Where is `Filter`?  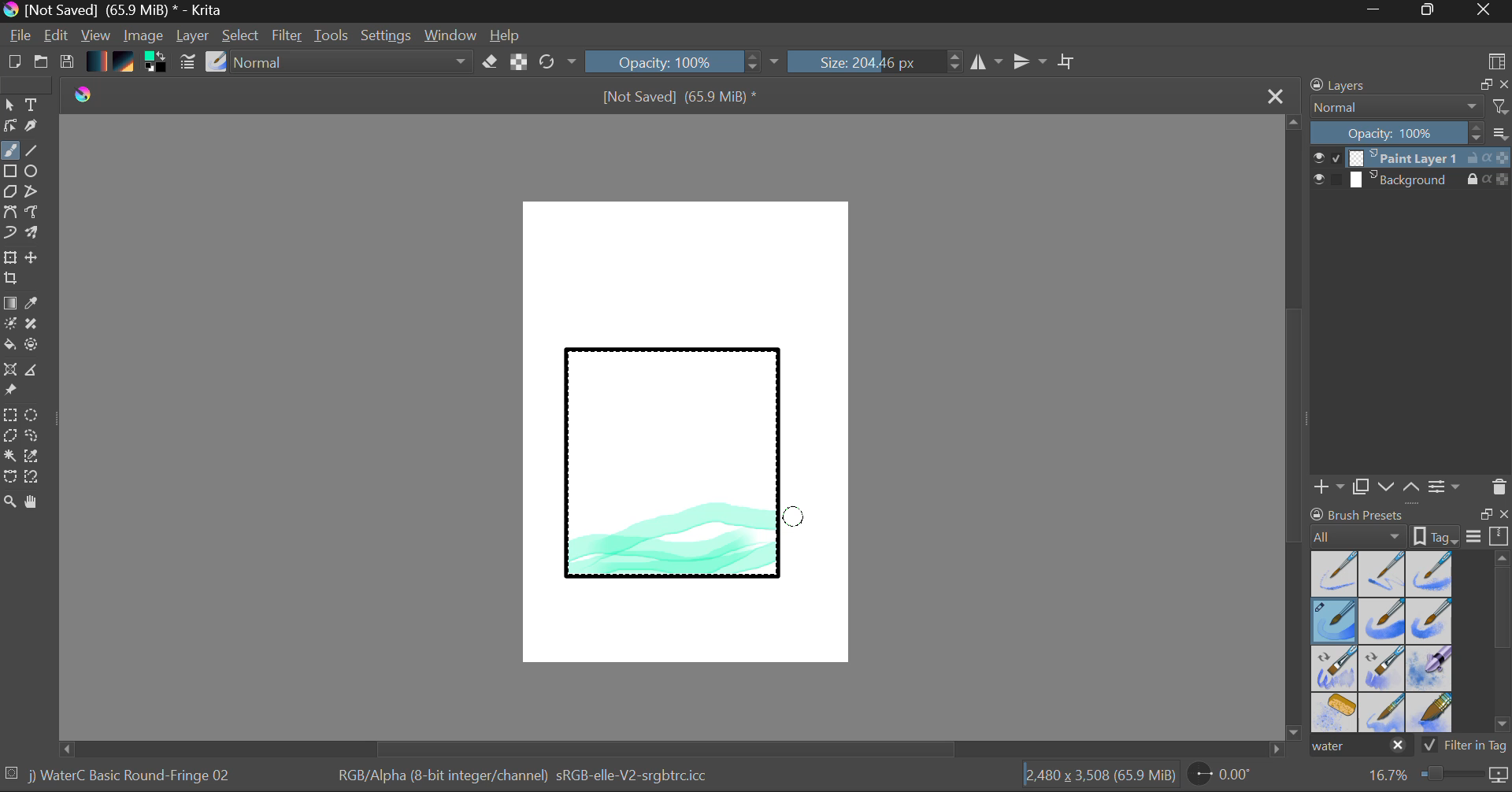 Filter is located at coordinates (289, 38).